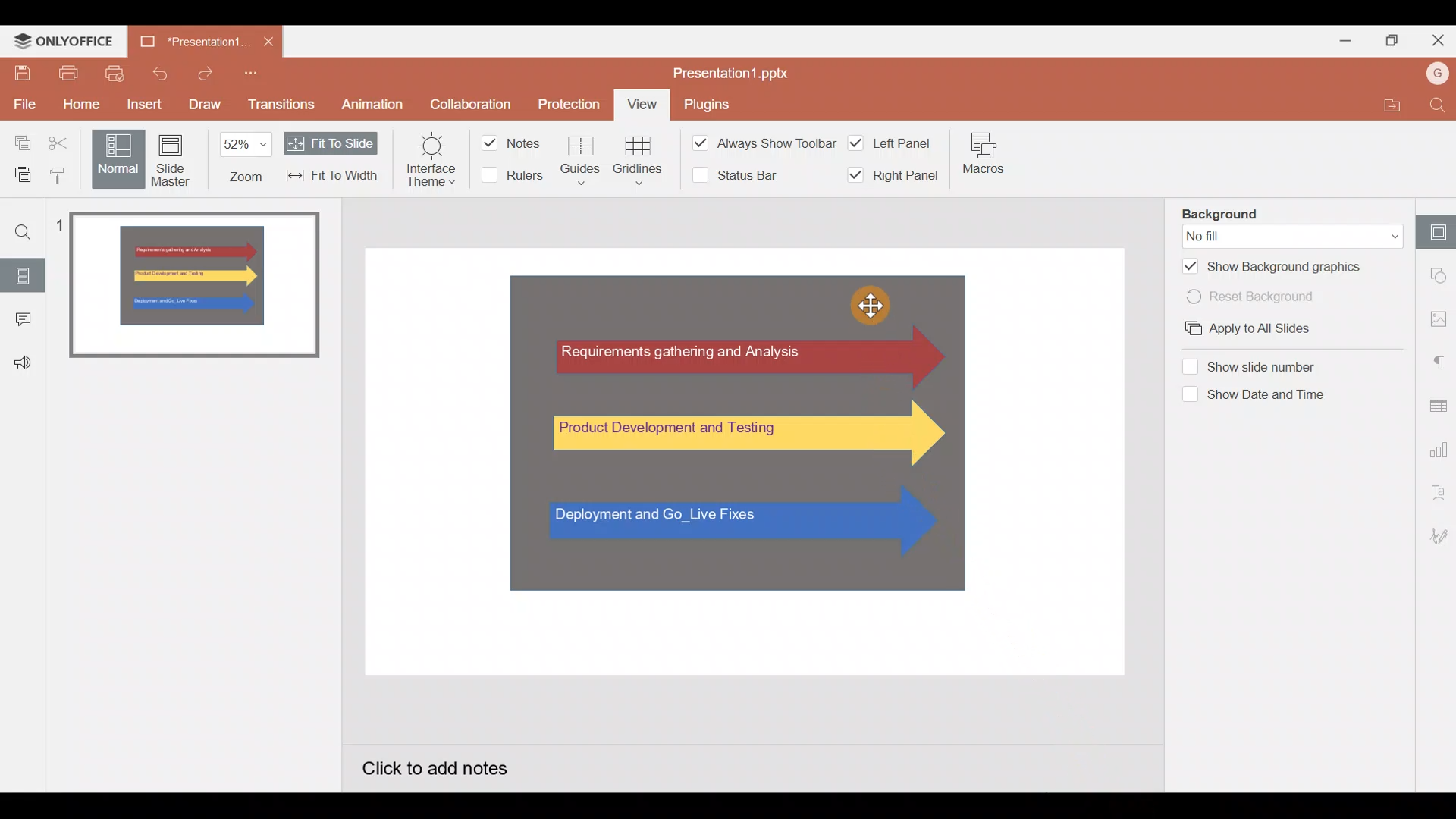 This screenshot has width=1456, height=819. What do you see at coordinates (707, 106) in the screenshot?
I see `Plugins` at bounding box center [707, 106].